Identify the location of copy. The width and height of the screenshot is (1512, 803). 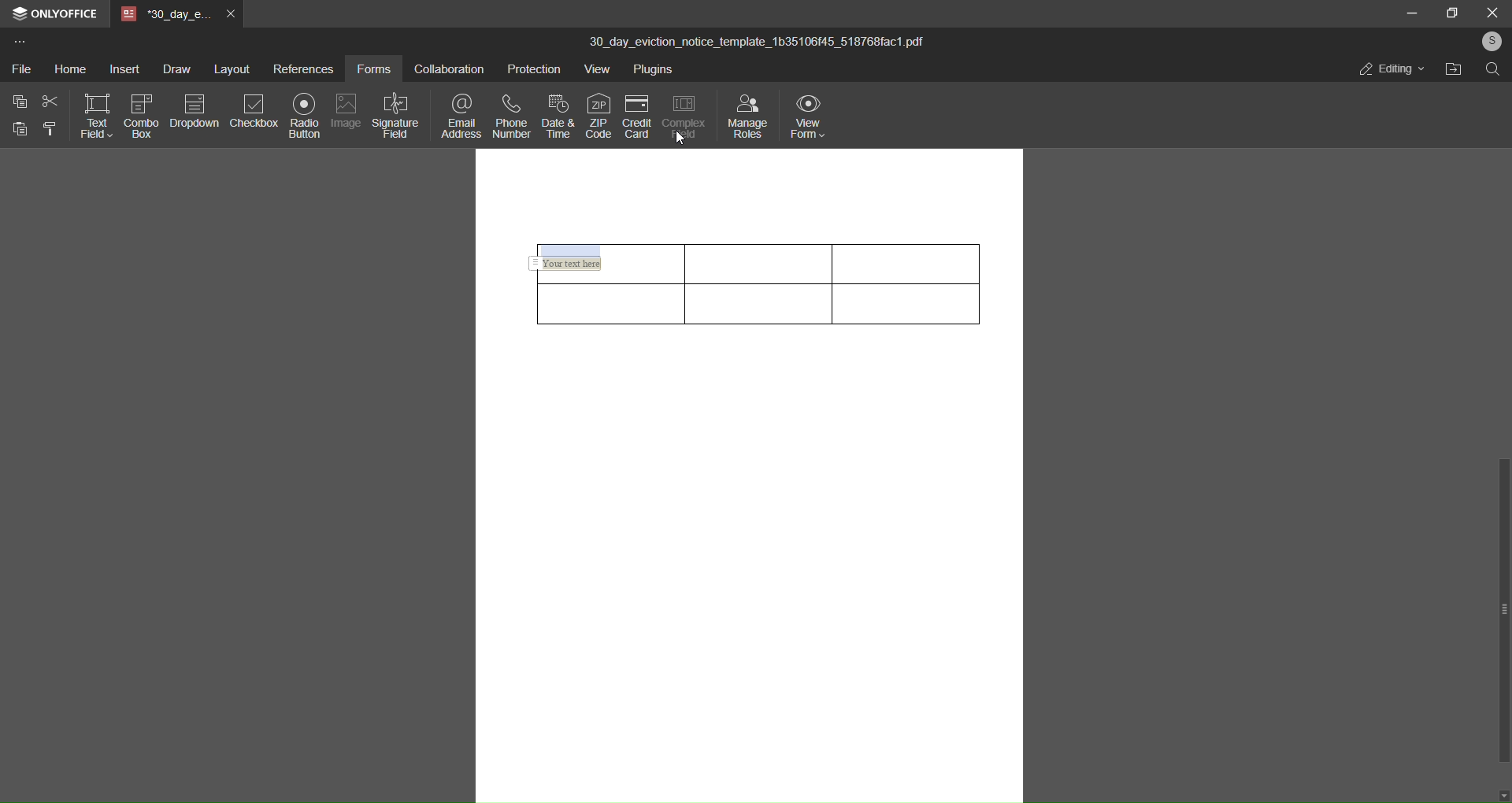
(16, 102).